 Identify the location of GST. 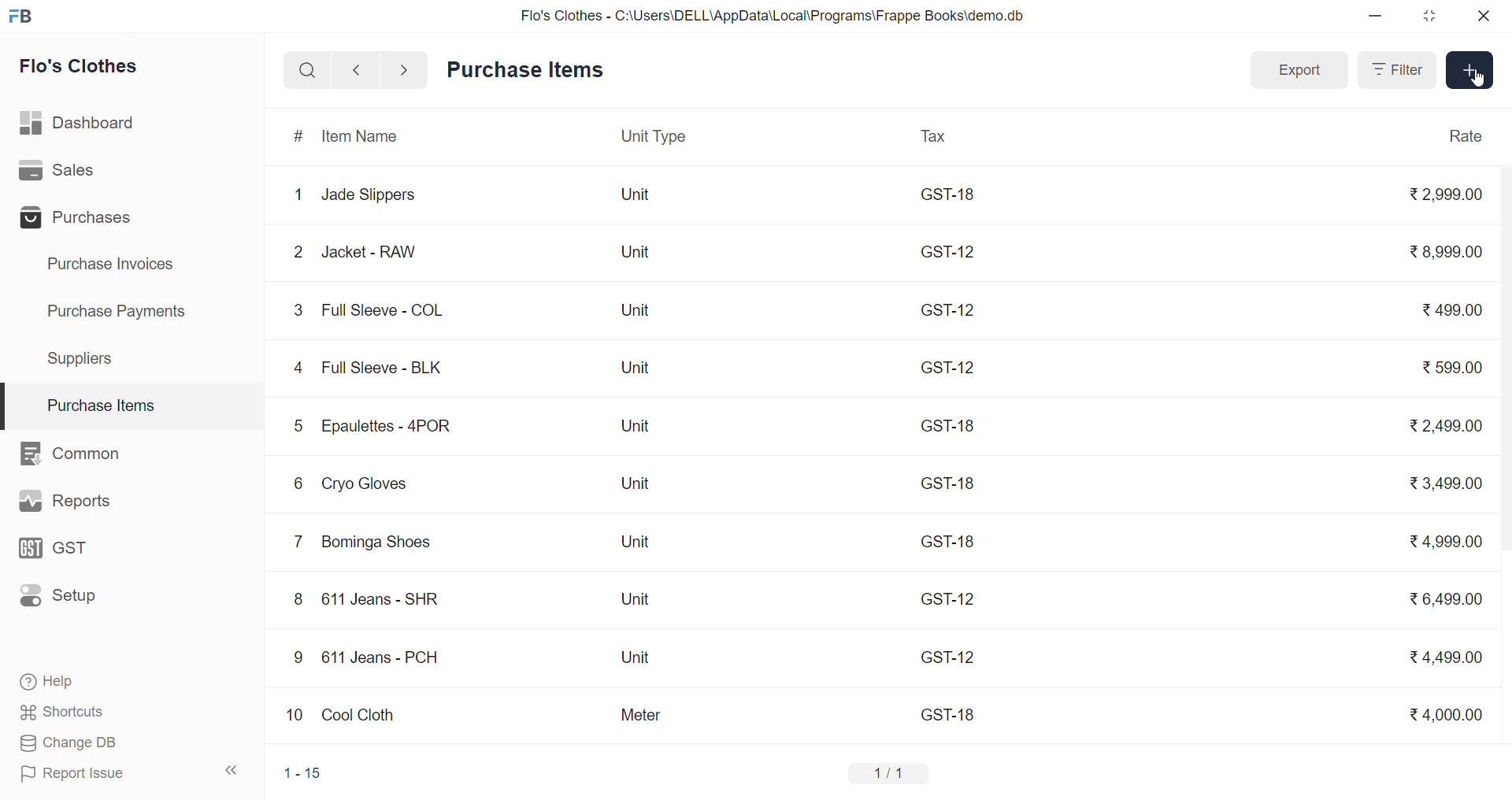
(74, 550).